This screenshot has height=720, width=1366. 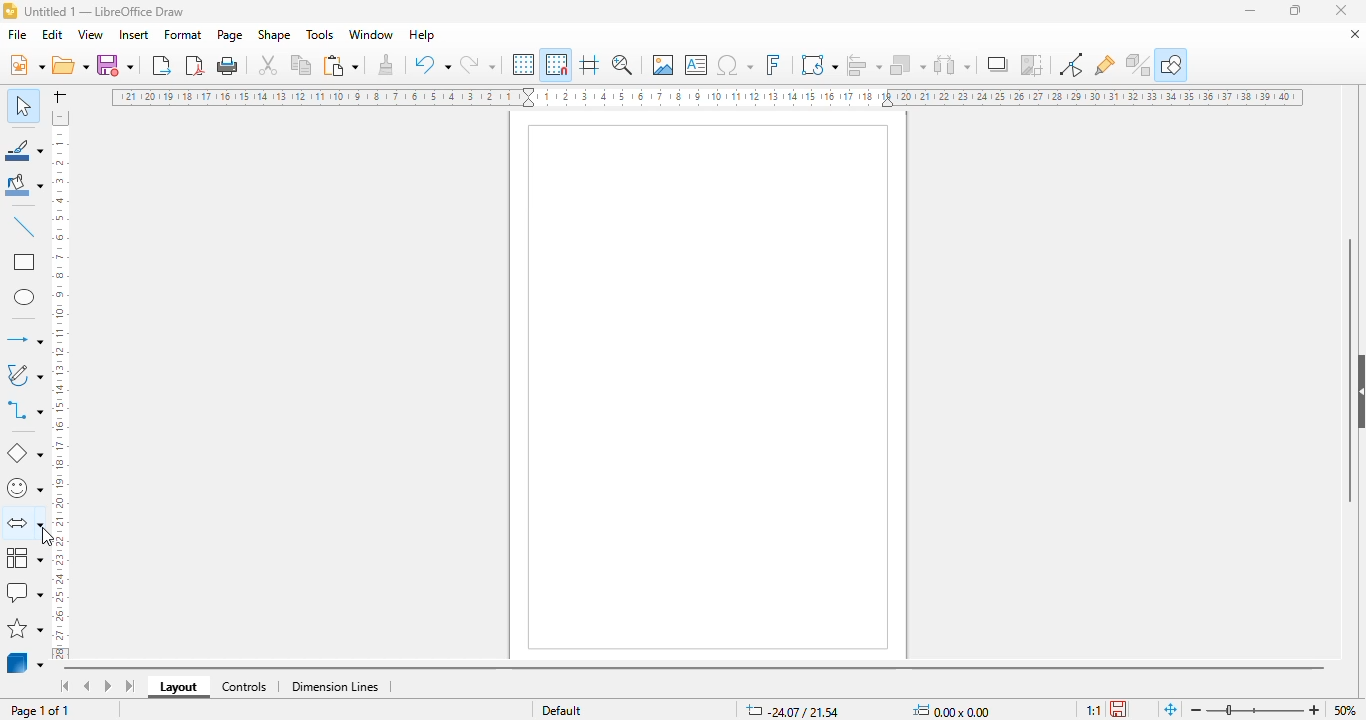 I want to click on line color, so click(x=24, y=149).